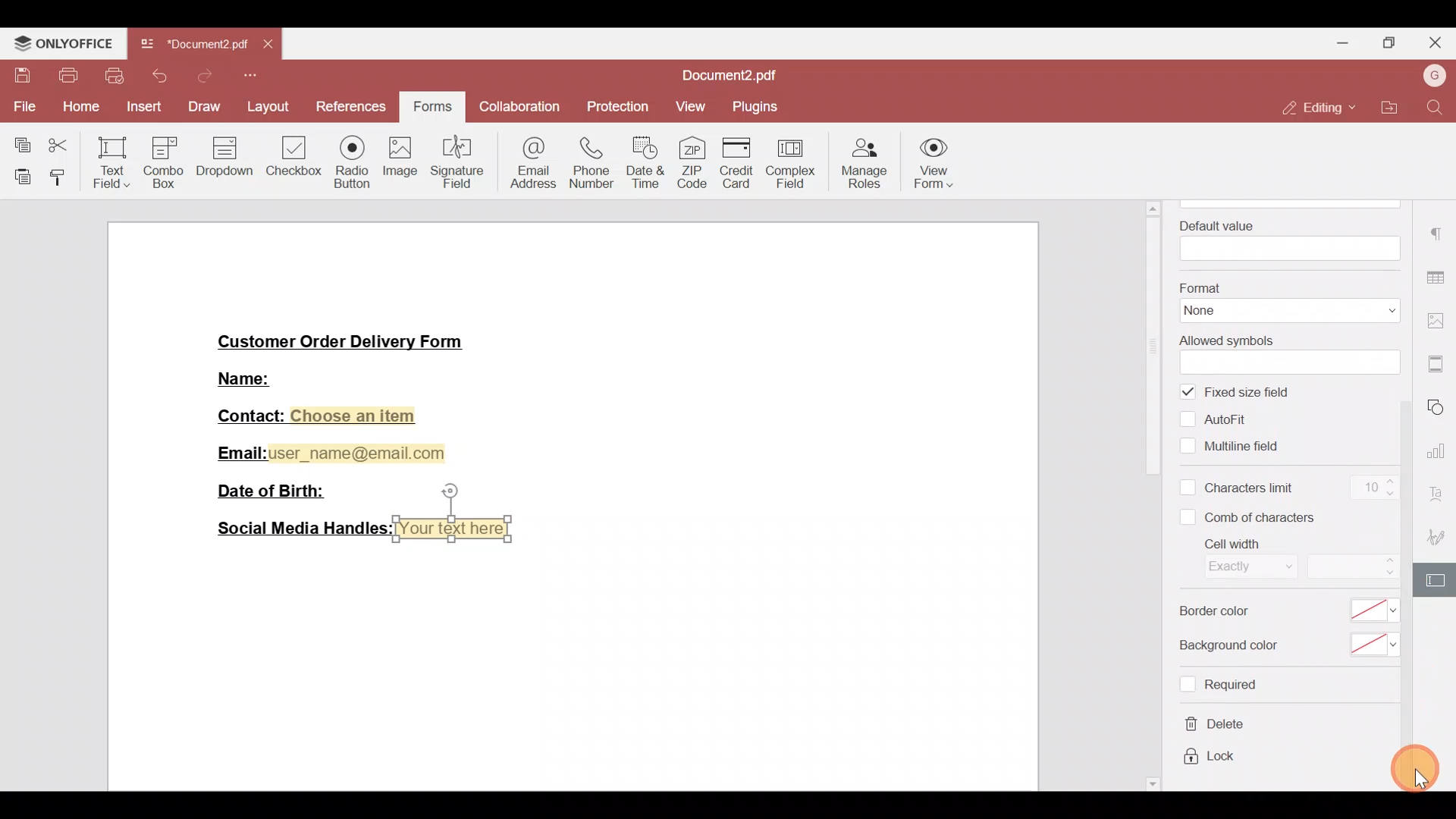 This screenshot has width=1456, height=819. Describe the element at coordinates (17, 177) in the screenshot. I see `Paste` at that location.